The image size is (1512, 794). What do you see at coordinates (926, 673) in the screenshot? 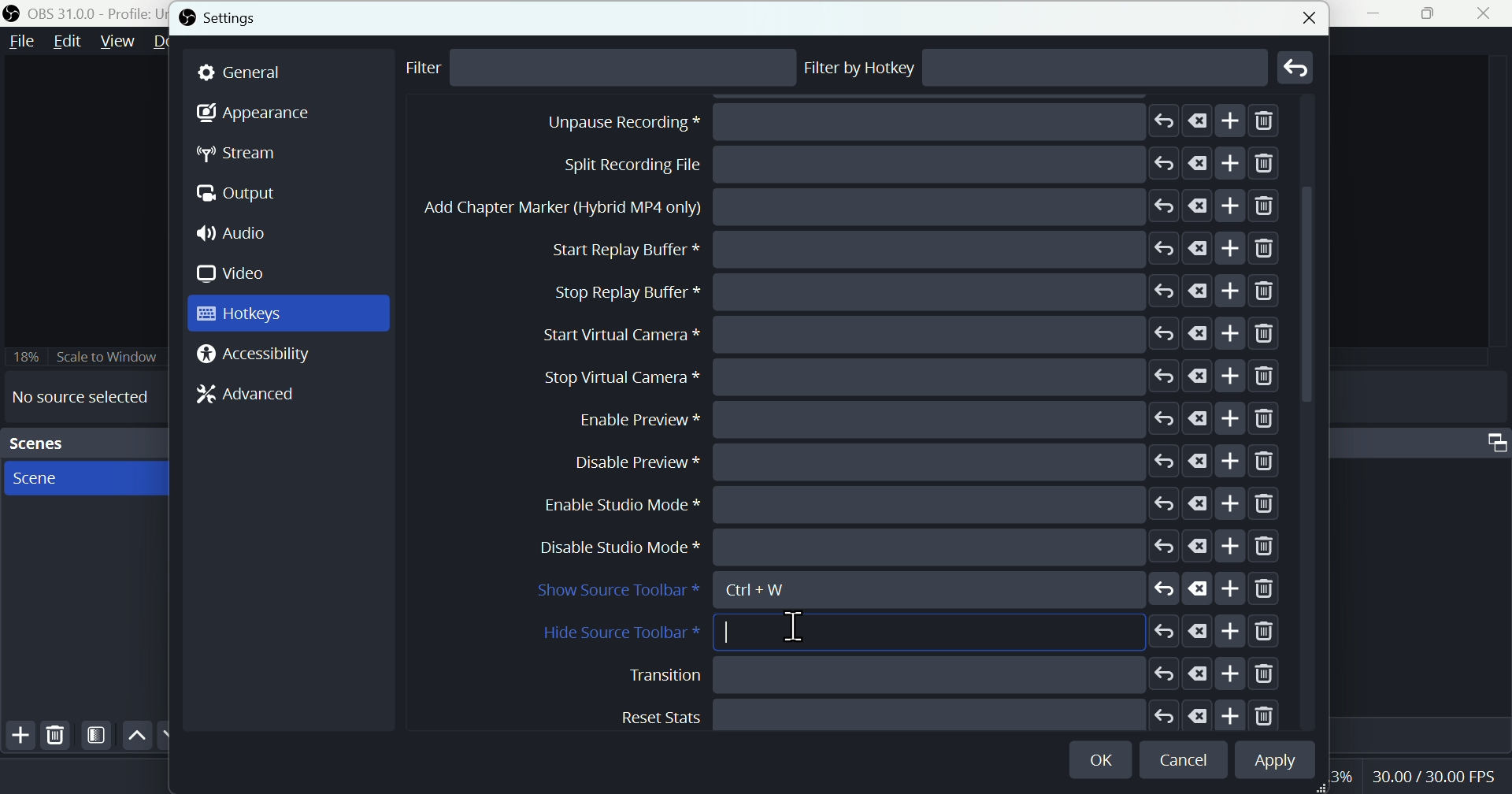
I see `Disable preview` at bounding box center [926, 673].